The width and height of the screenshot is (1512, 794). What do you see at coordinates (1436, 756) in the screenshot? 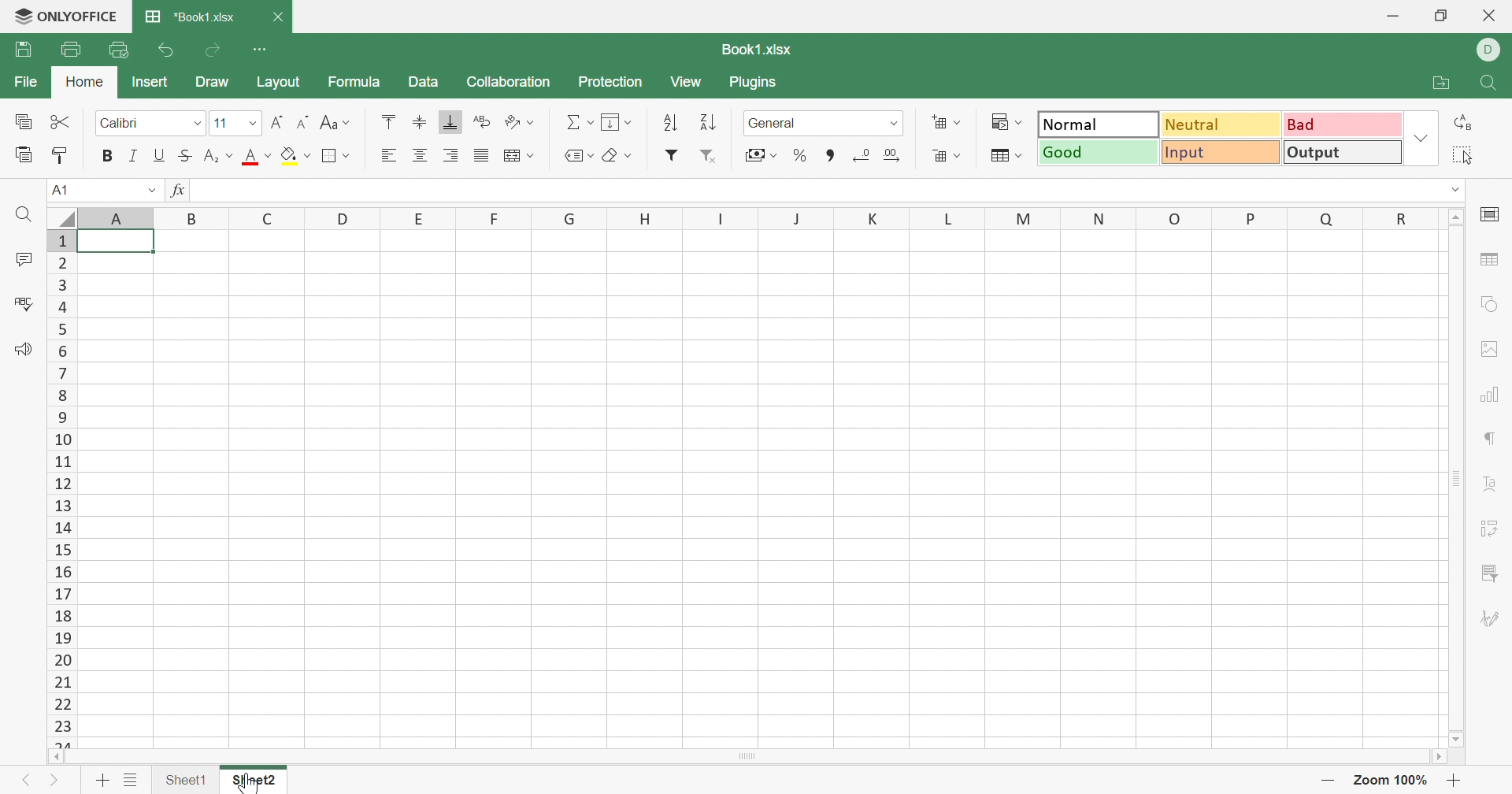
I see `Scroll Right` at bounding box center [1436, 756].